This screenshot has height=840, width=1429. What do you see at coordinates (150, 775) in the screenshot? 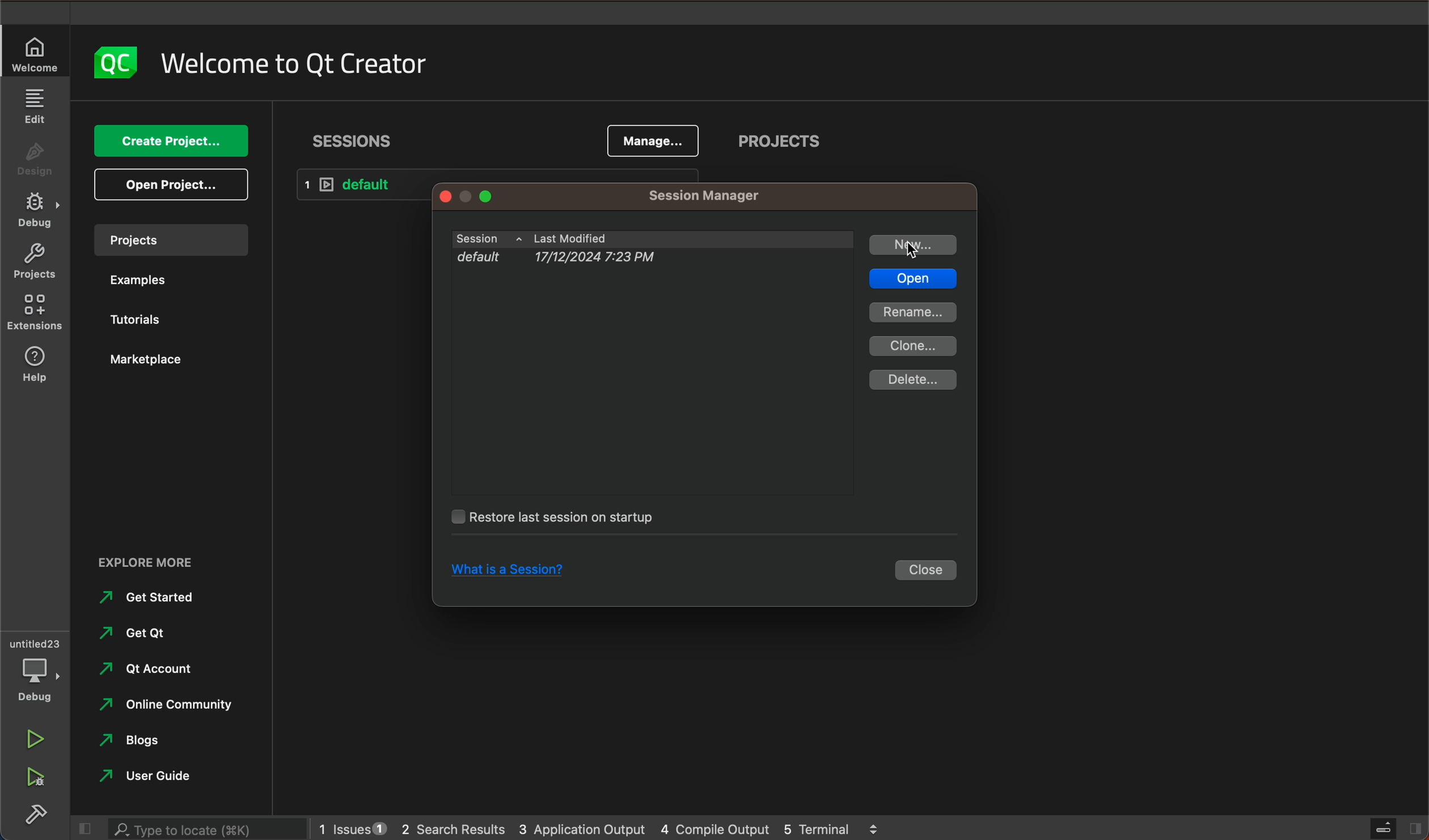
I see `ser guide` at bounding box center [150, 775].